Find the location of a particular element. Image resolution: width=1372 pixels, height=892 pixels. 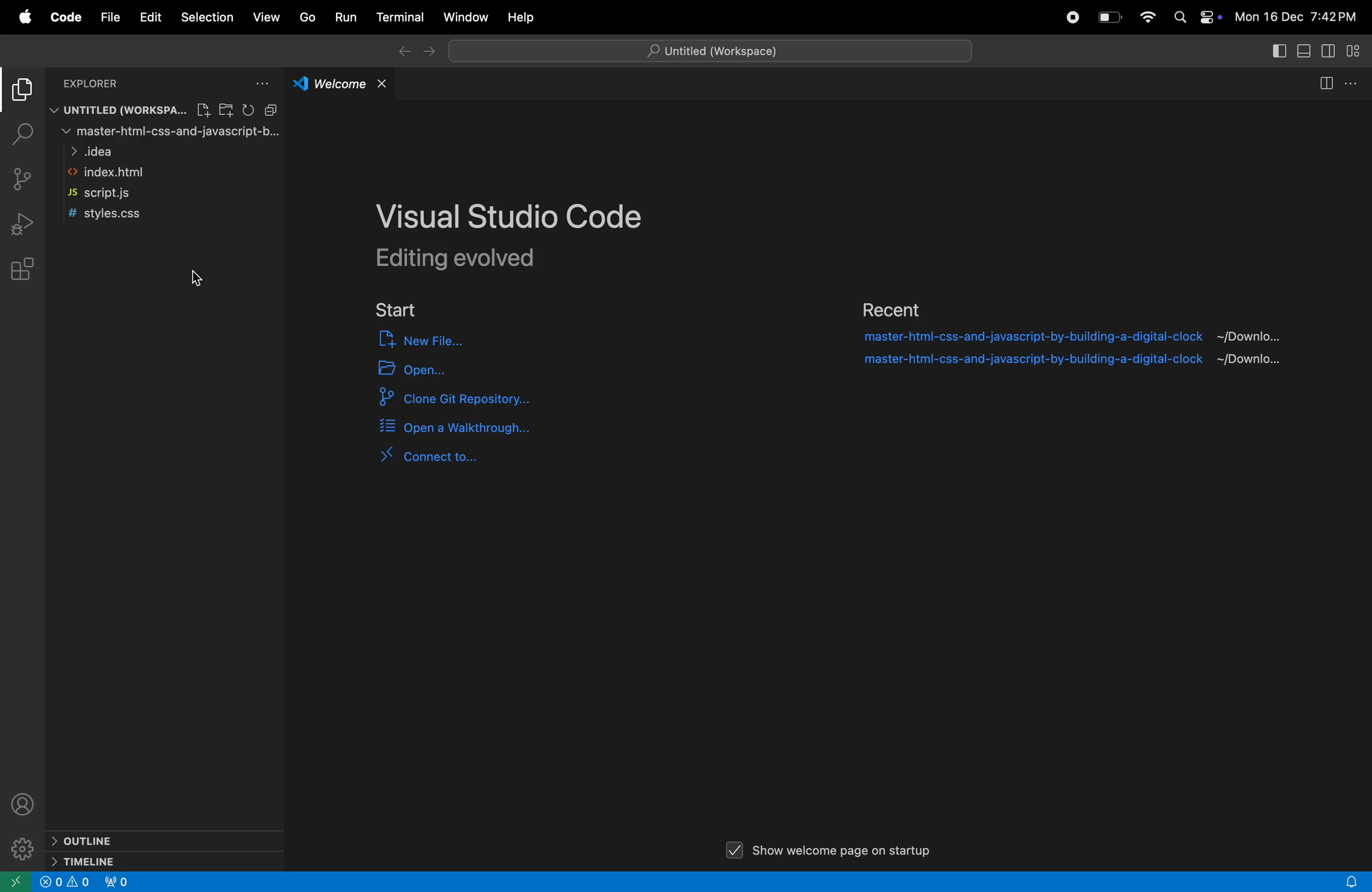

profile is located at coordinates (22, 803).